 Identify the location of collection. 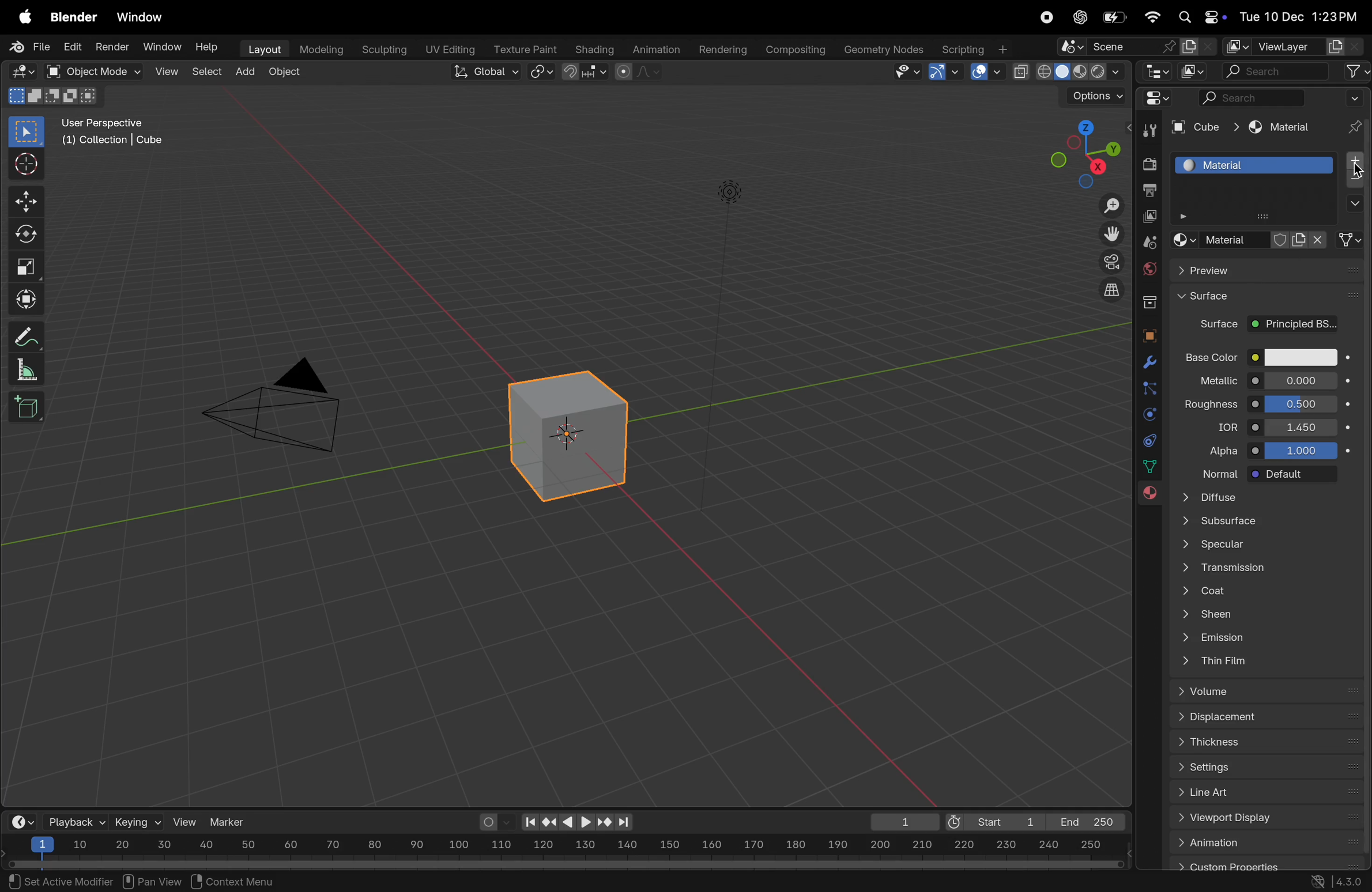
(1147, 300).